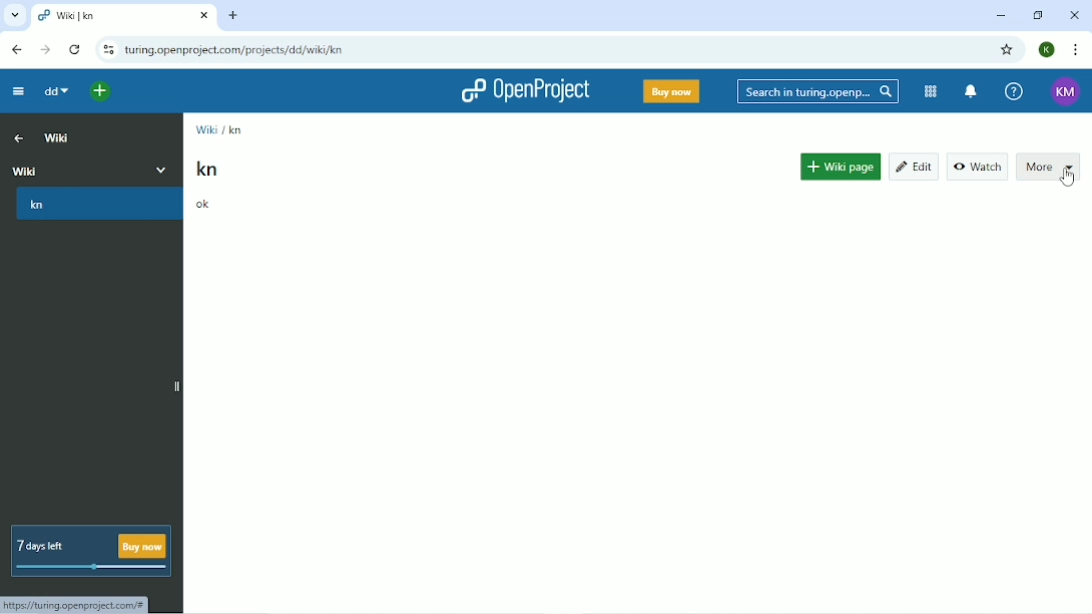 Image resolution: width=1092 pixels, height=614 pixels. What do you see at coordinates (973, 92) in the screenshot?
I see `To notification center` at bounding box center [973, 92].